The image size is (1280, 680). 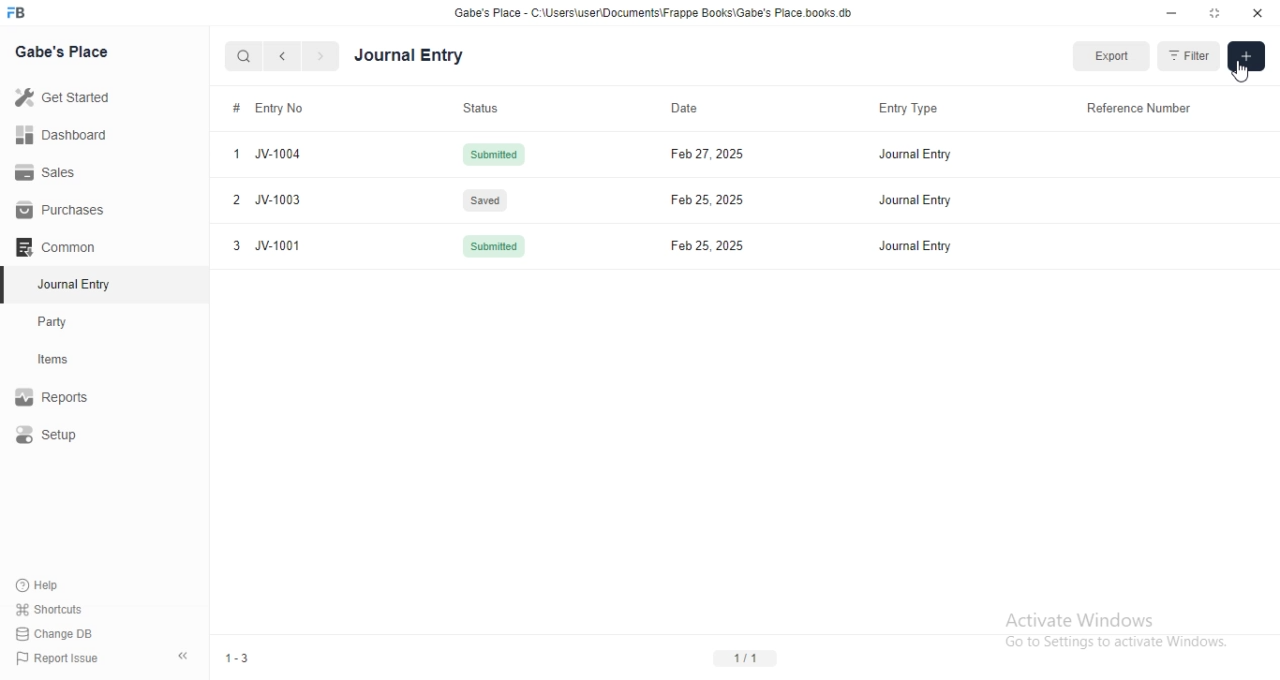 I want to click on Gabe's Place, so click(x=62, y=51).